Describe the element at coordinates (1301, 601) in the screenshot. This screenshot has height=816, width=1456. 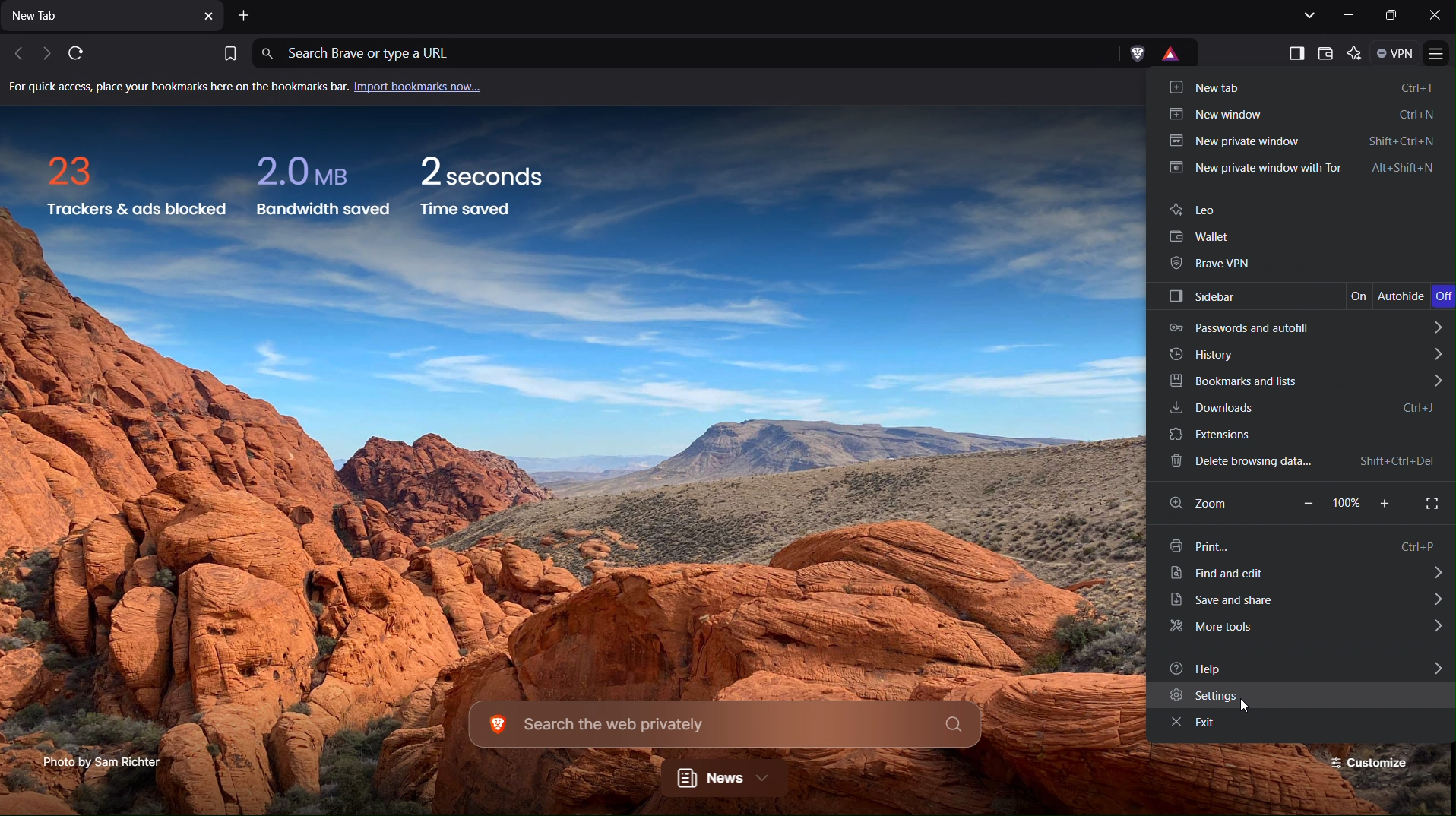
I see `Save and share` at that location.